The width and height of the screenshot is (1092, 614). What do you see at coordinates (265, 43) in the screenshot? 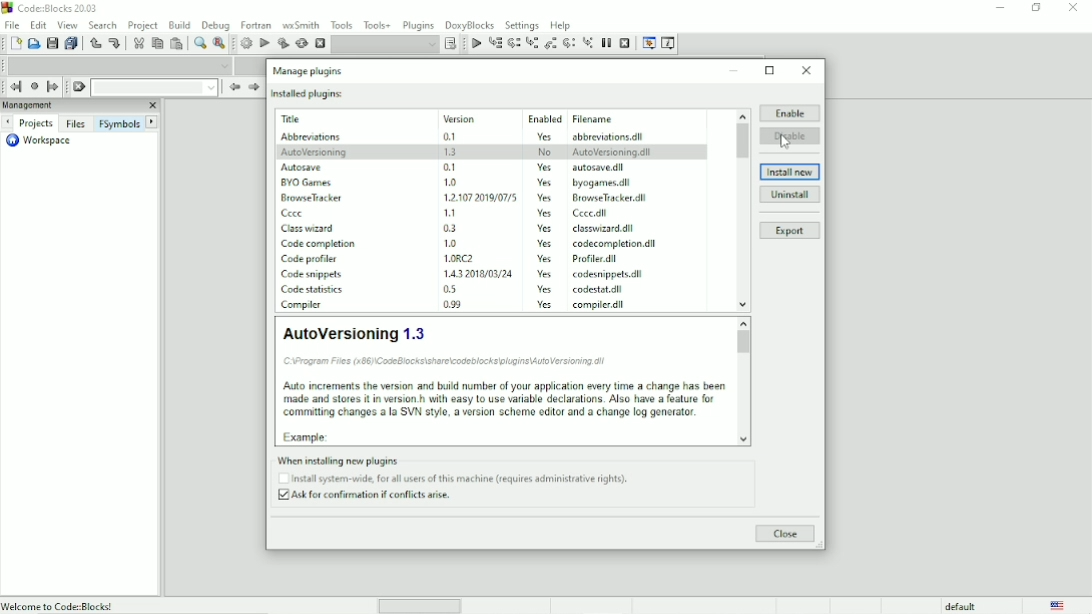
I see `Run` at bounding box center [265, 43].